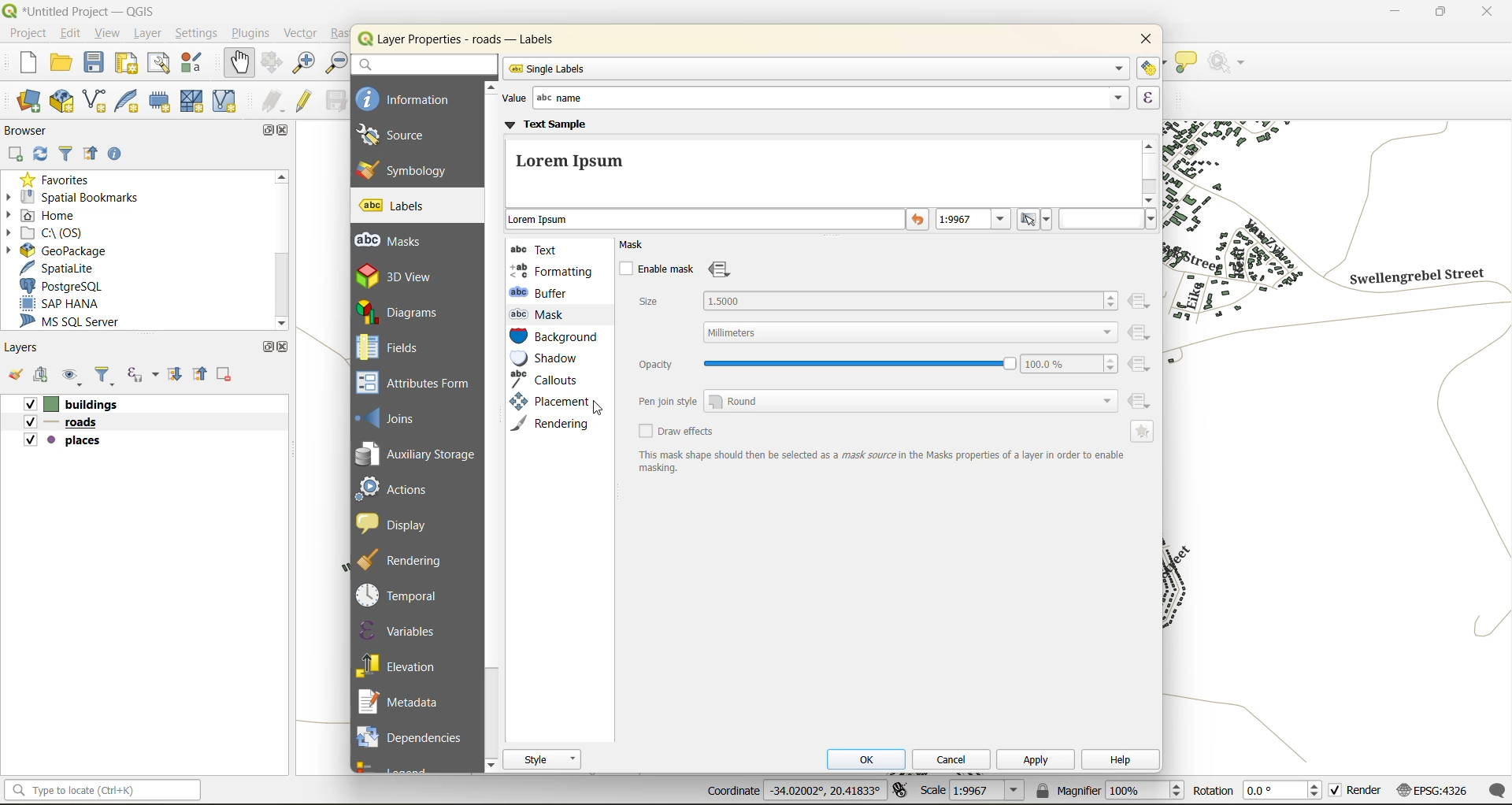  What do you see at coordinates (919, 221) in the screenshot?
I see `reset` at bounding box center [919, 221].